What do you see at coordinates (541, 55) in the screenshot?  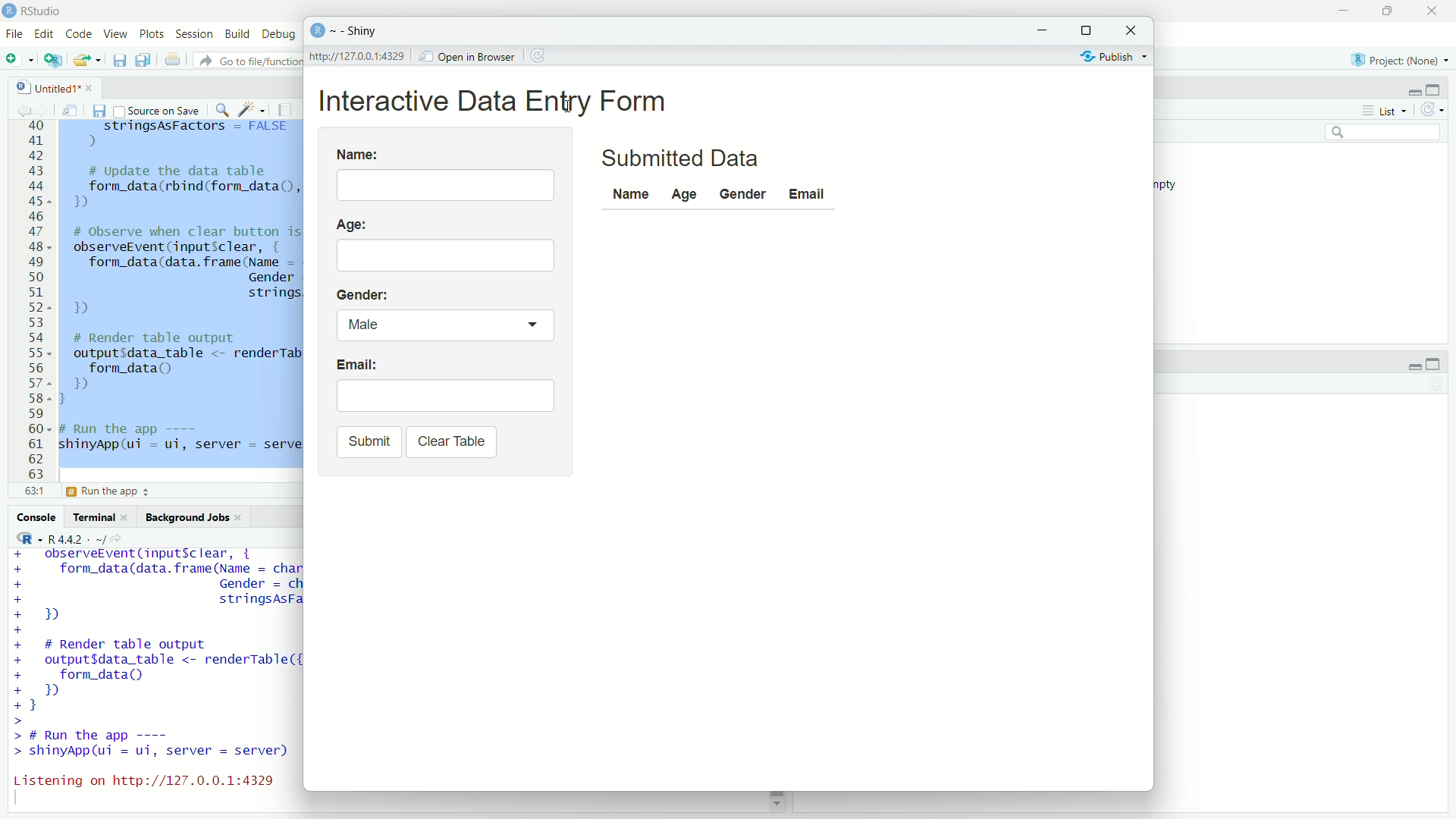 I see `refresh` at bounding box center [541, 55].